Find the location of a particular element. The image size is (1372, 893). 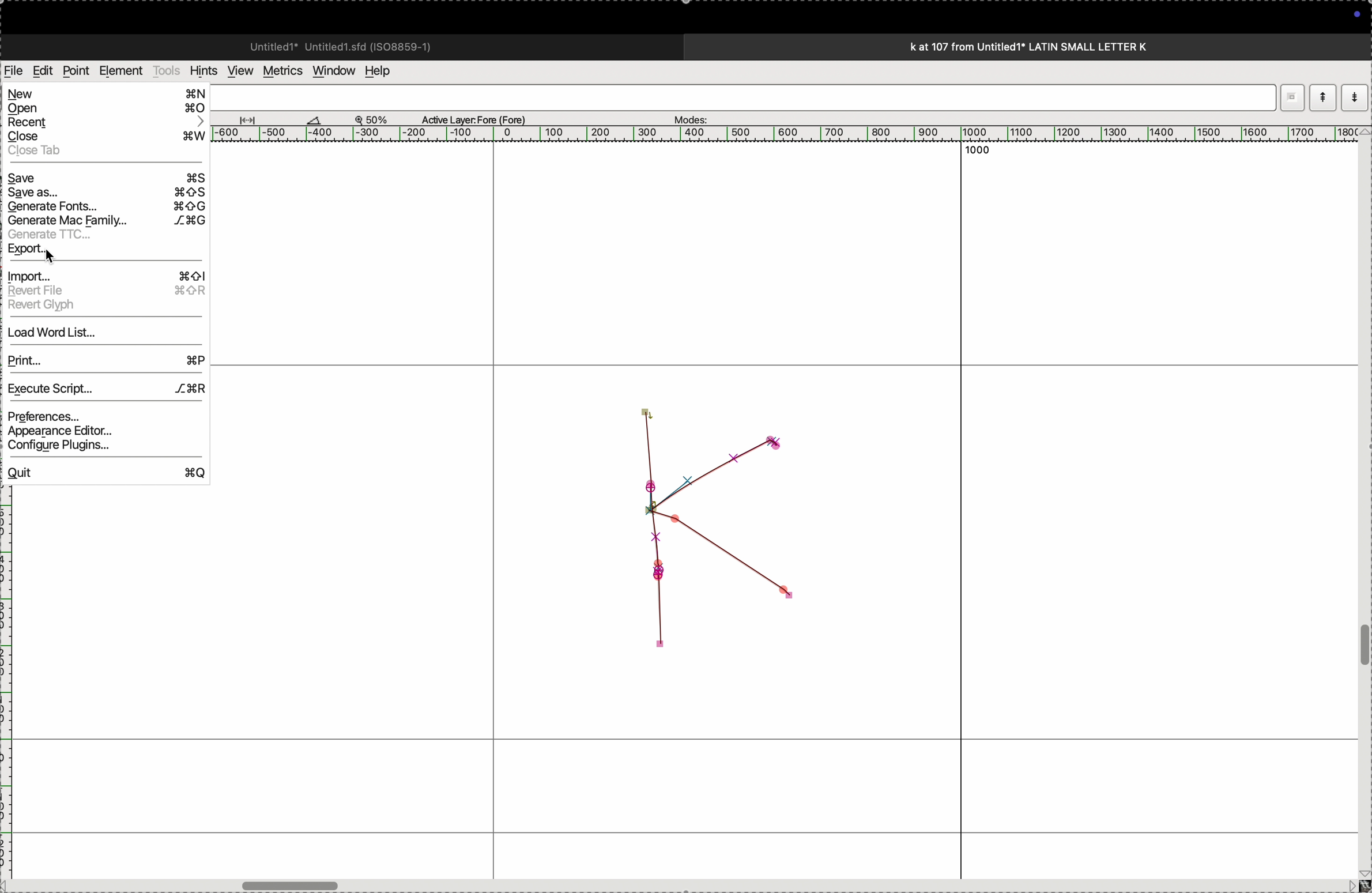

quit is located at coordinates (105, 473).